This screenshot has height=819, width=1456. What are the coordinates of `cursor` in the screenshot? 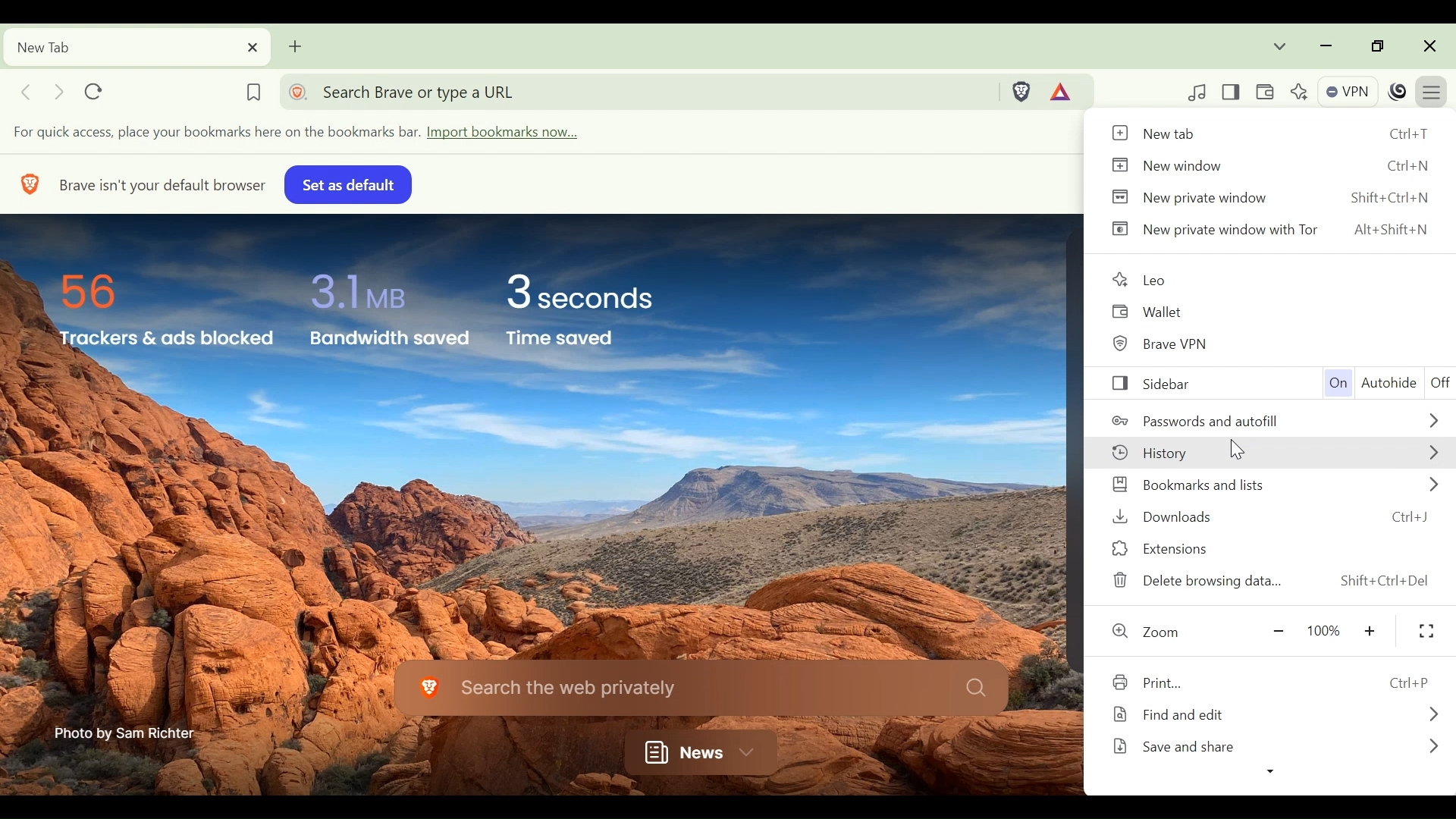 It's located at (1239, 449).